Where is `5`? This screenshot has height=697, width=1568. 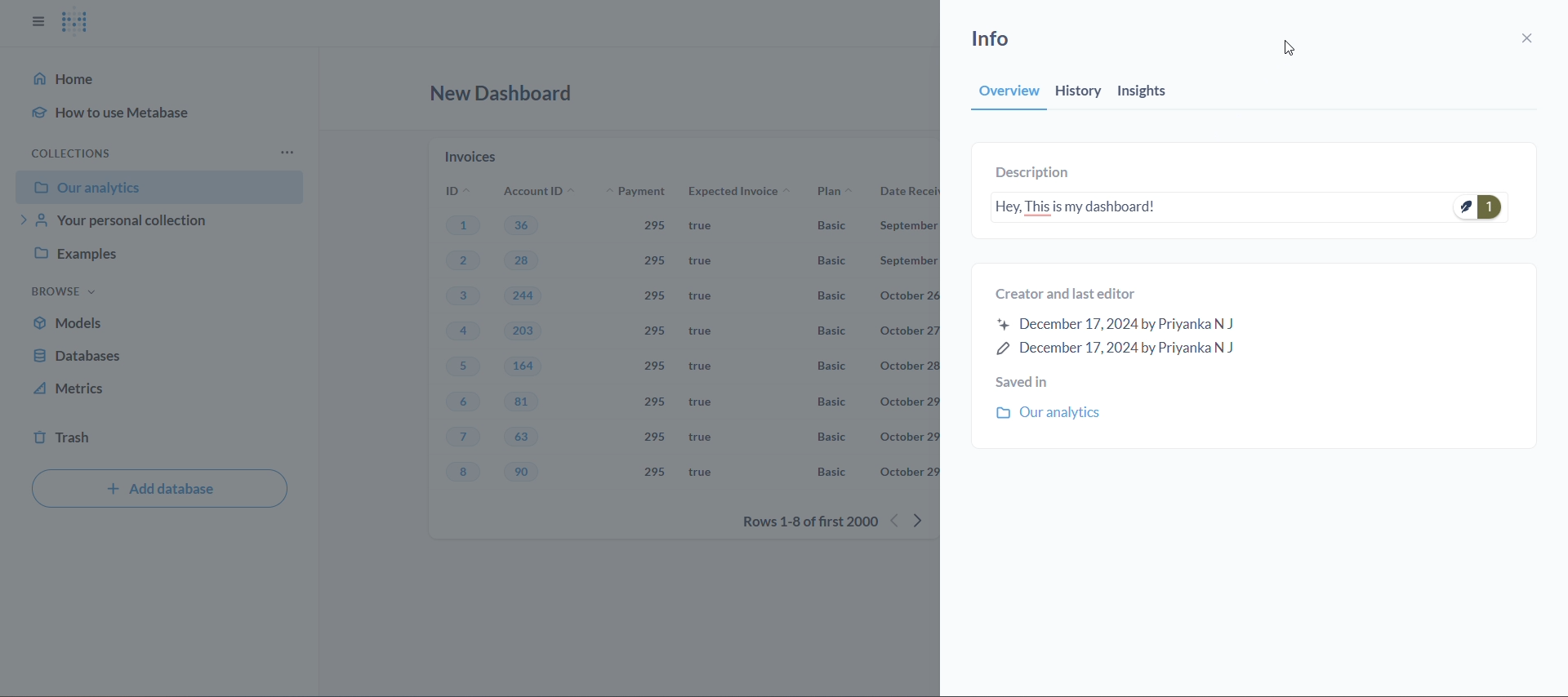
5 is located at coordinates (463, 367).